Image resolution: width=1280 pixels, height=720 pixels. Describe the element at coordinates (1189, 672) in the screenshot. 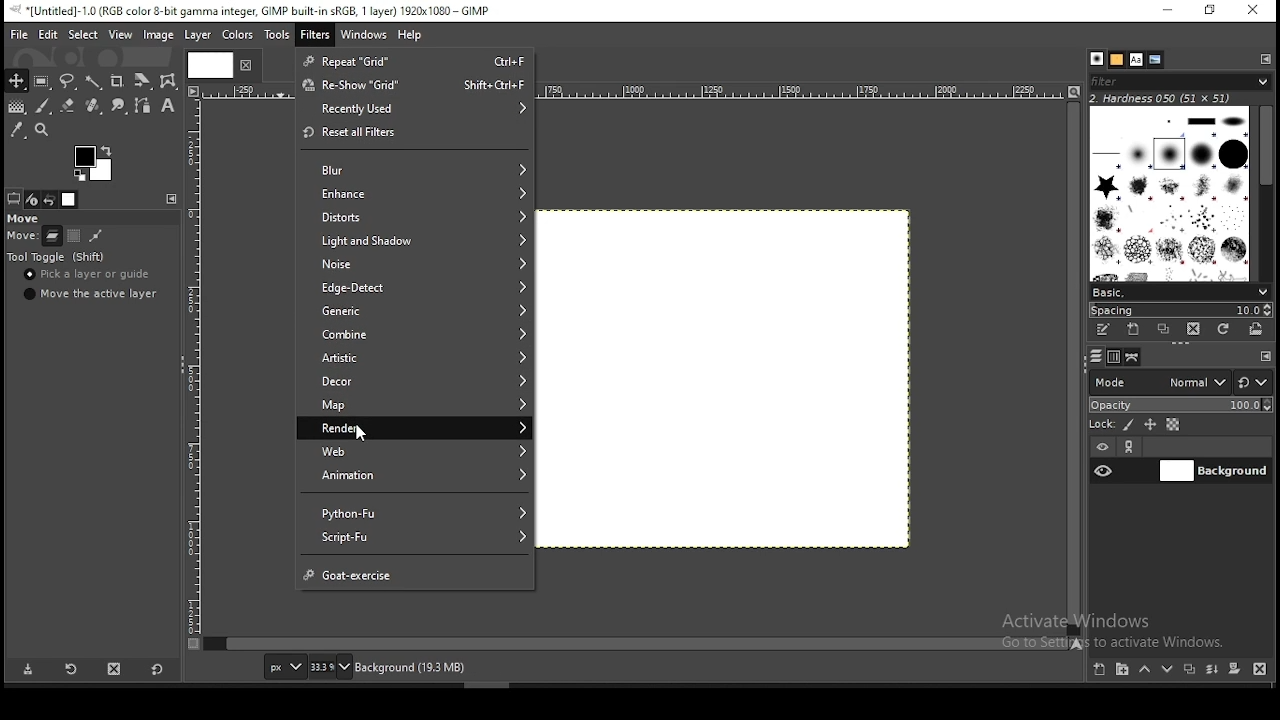

I see `duplicate layer` at that location.